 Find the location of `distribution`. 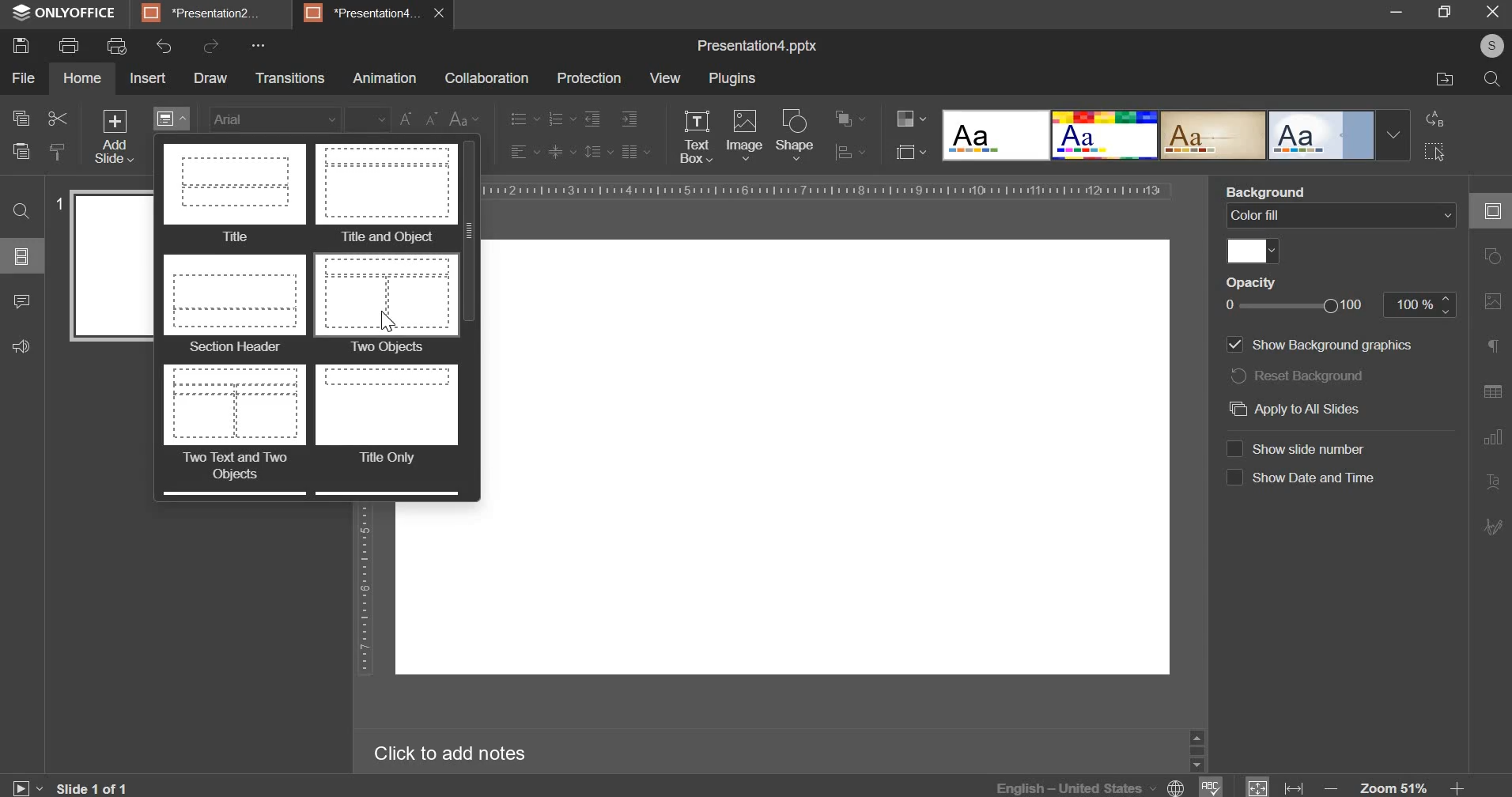

distribution is located at coordinates (847, 152).